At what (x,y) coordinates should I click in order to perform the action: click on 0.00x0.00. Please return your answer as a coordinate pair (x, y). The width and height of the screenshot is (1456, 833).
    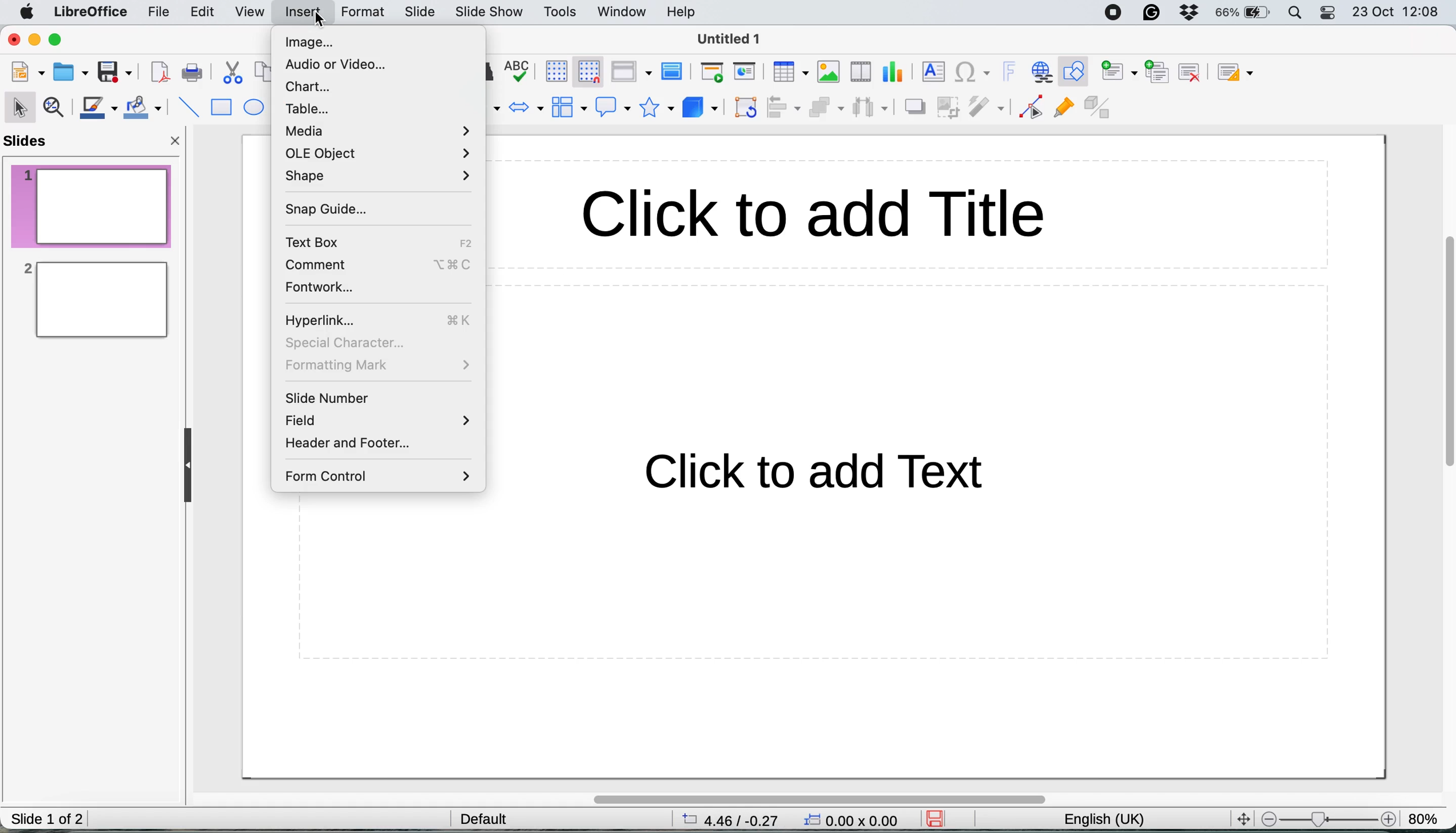
    Looking at the image, I should click on (853, 822).